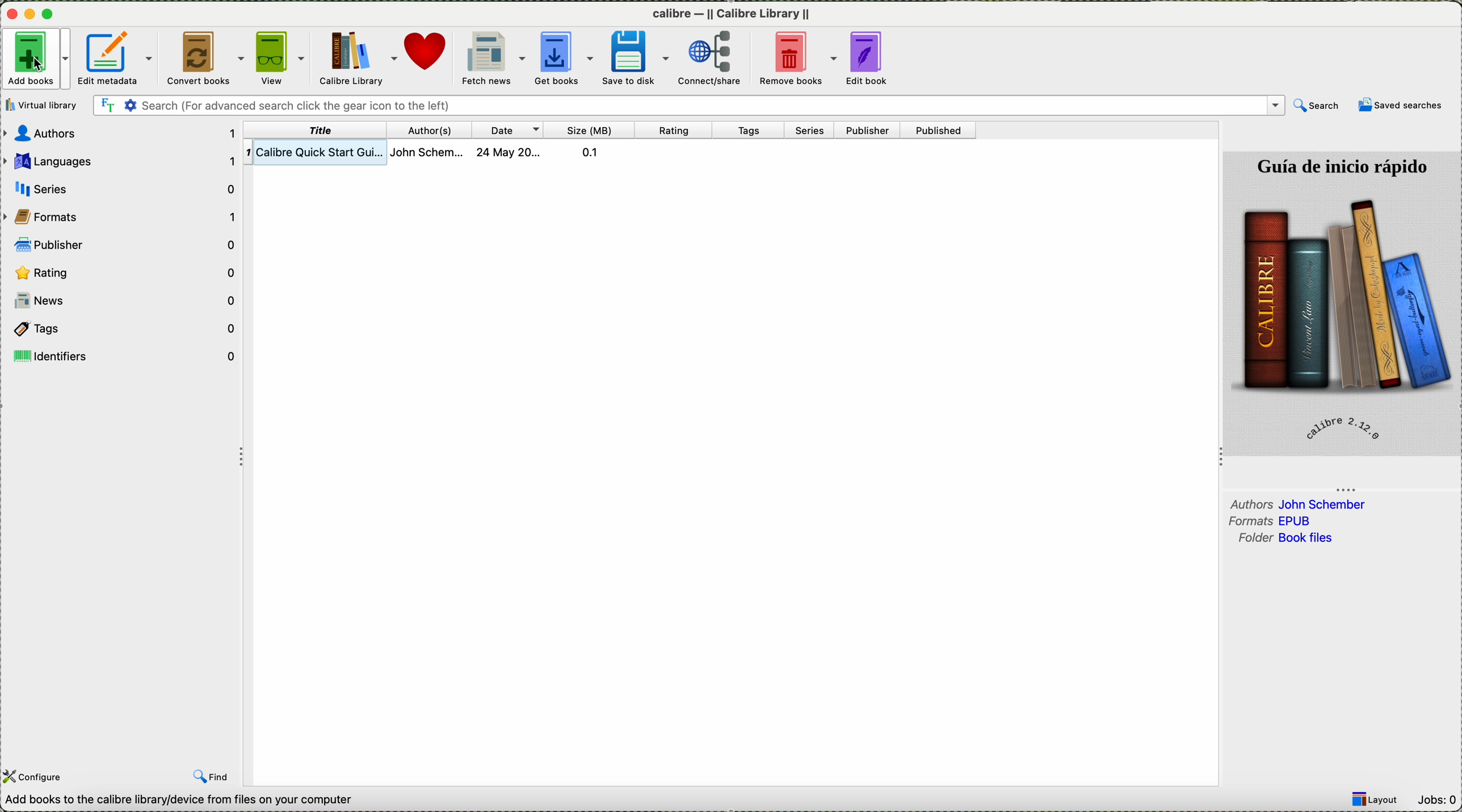 The height and width of the screenshot is (812, 1462). What do you see at coordinates (433, 129) in the screenshot?
I see `author(s)` at bounding box center [433, 129].